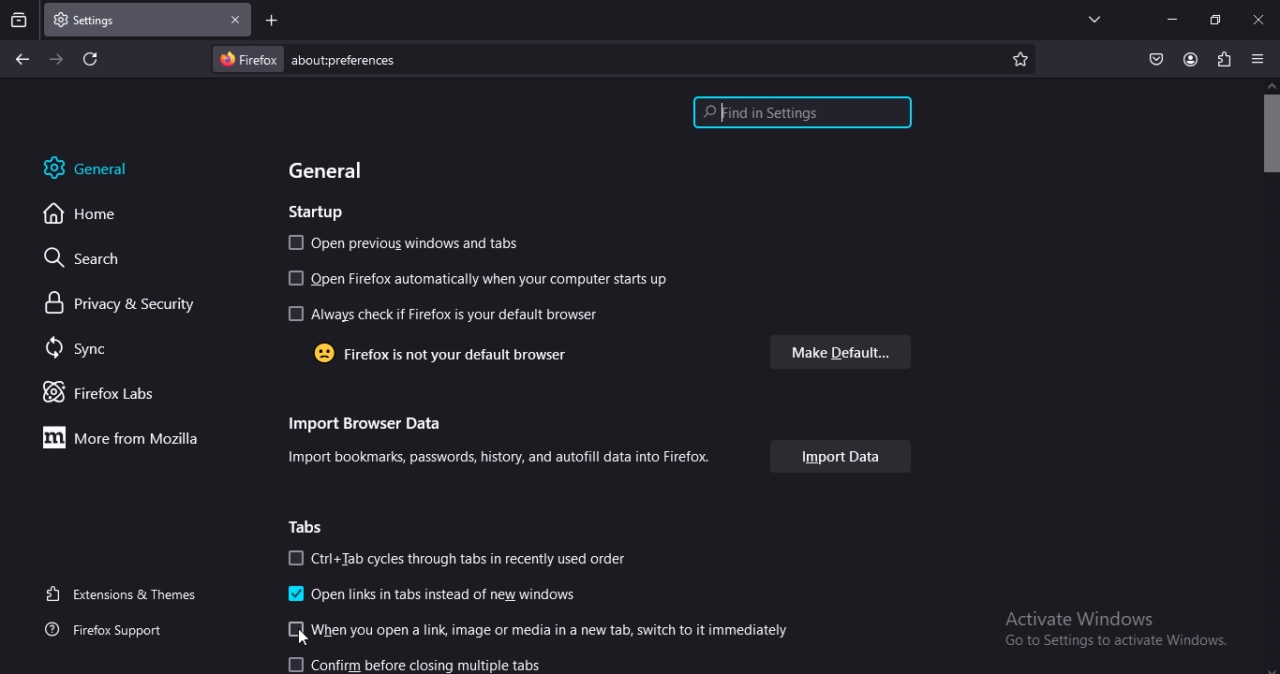  I want to click on more from mozilla, so click(128, 438).